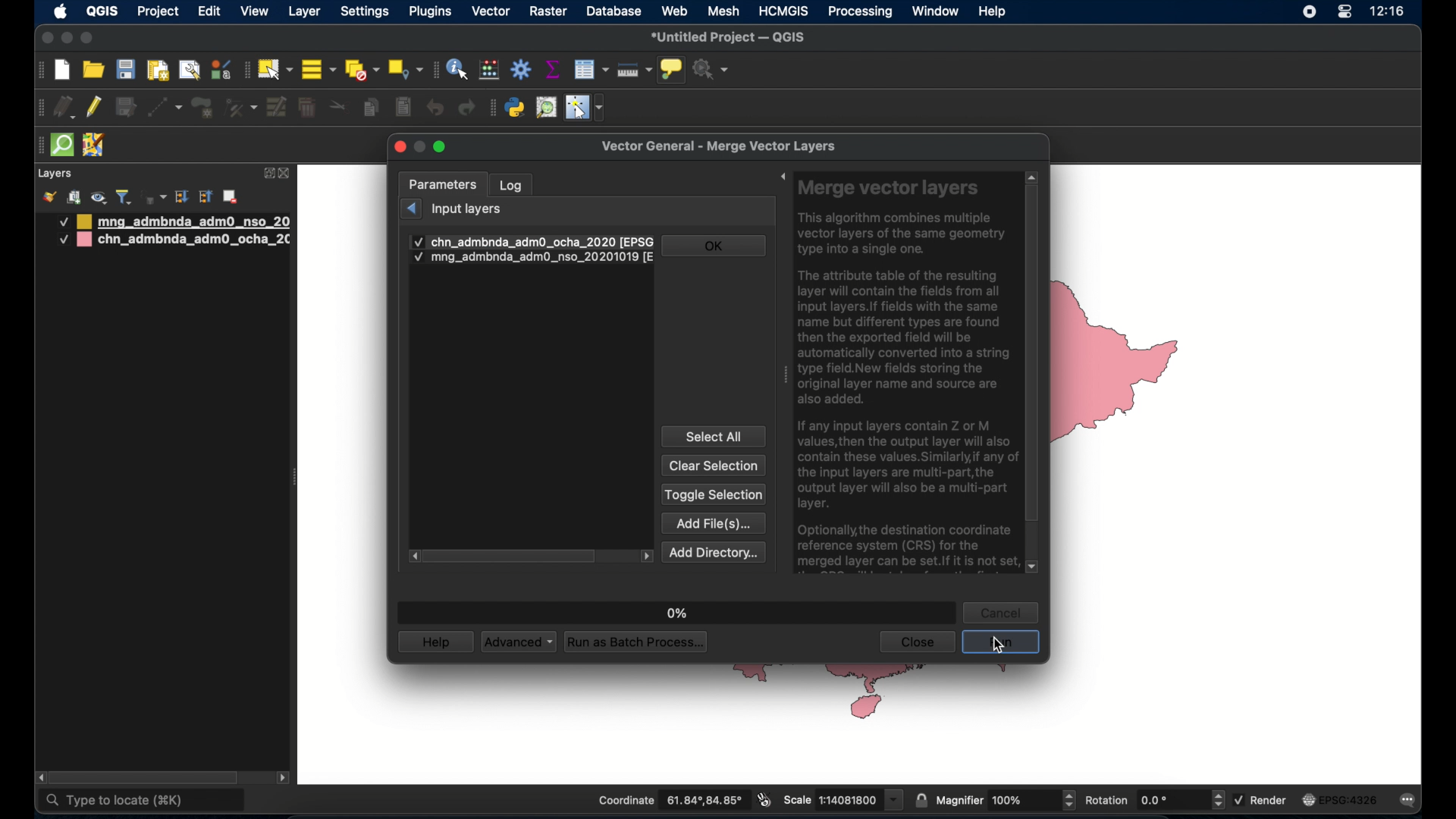 The width and height of the screenshot is (1456, 819). Describe the element at coordinates (402, 106) in the screenshot. I see `paste features` at that location.